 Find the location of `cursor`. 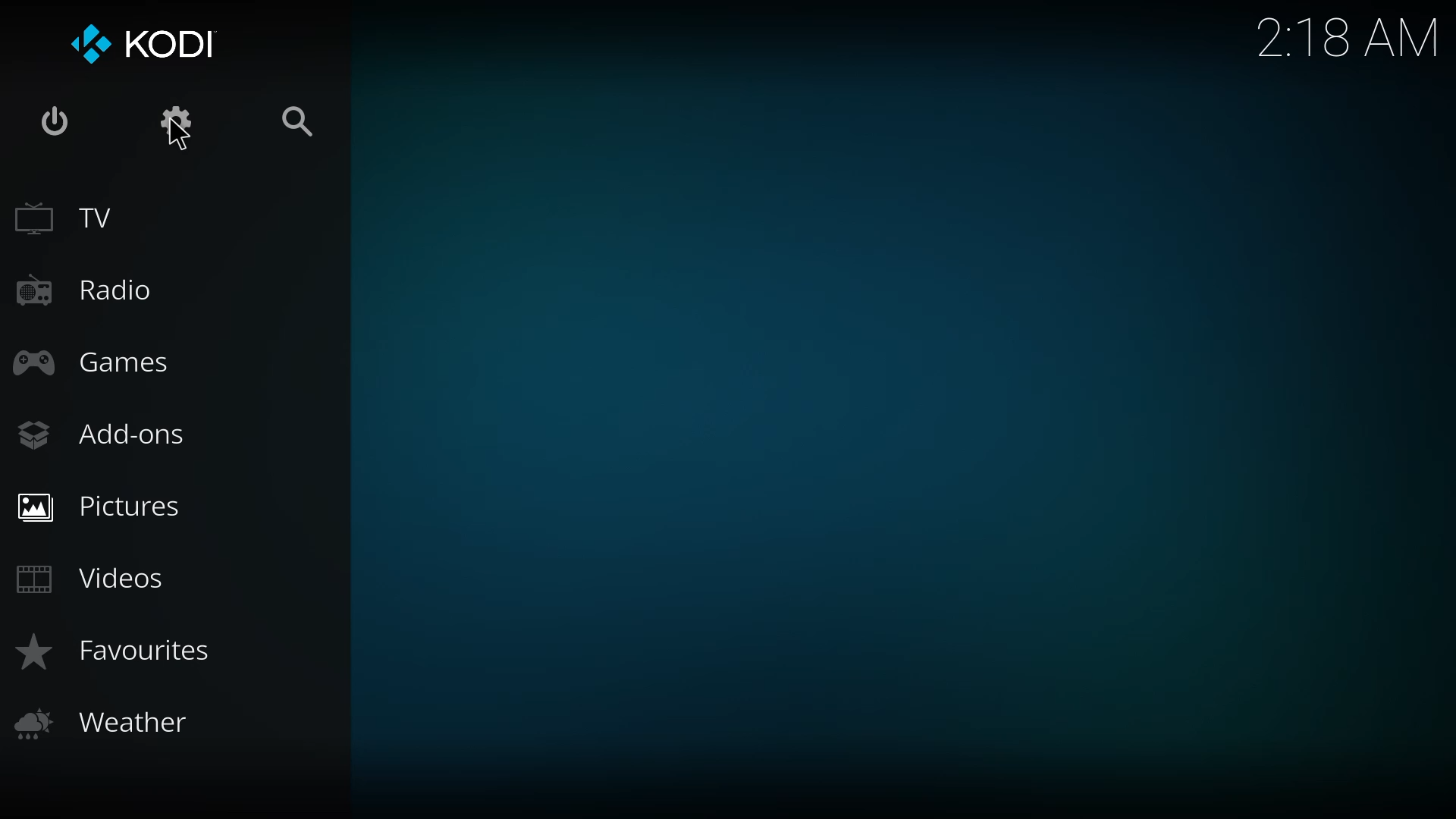

cursor is located at coordinates (179, 138).